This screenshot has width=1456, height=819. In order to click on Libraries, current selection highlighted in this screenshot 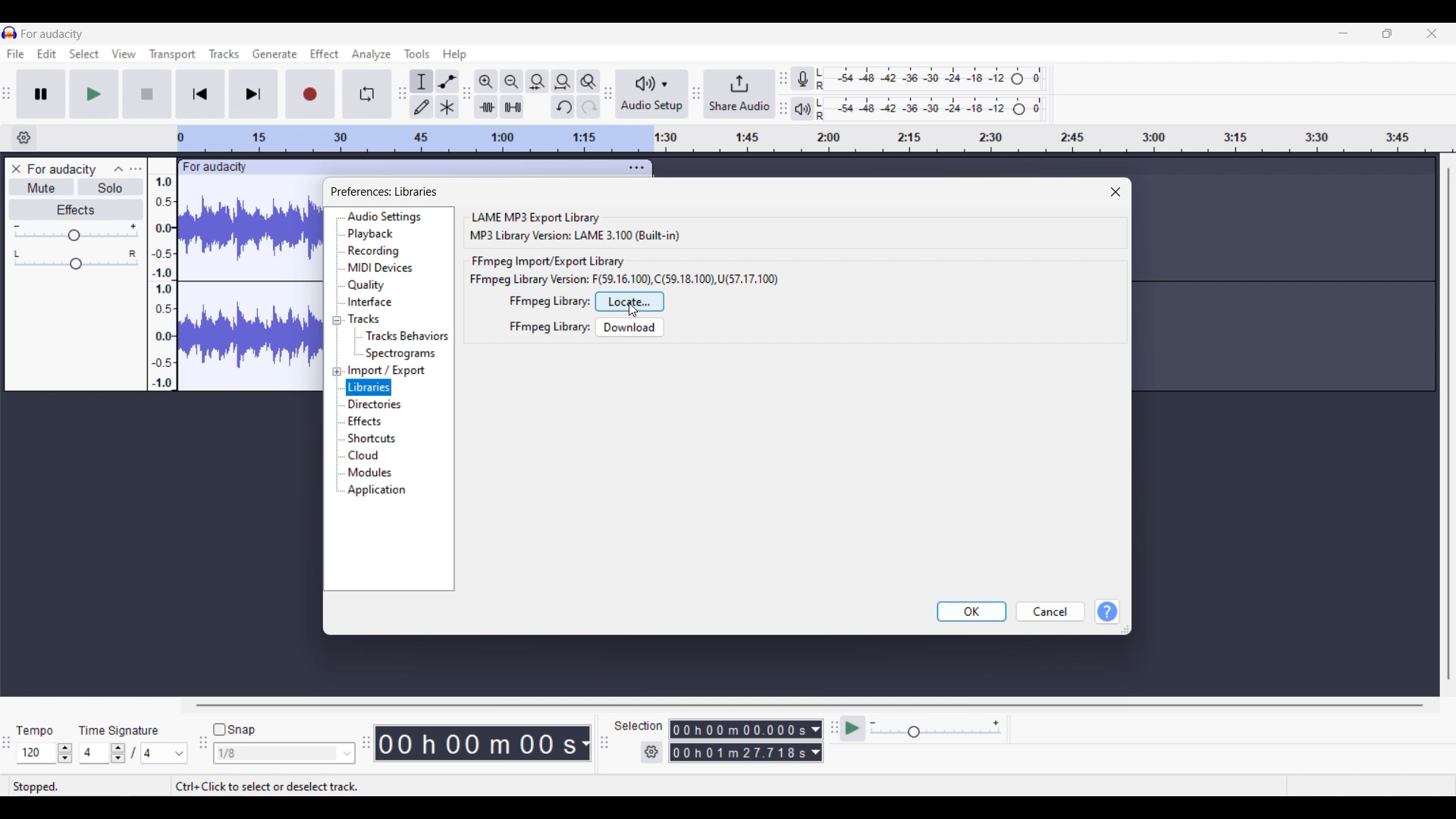, I will do `click(370, 388)`.